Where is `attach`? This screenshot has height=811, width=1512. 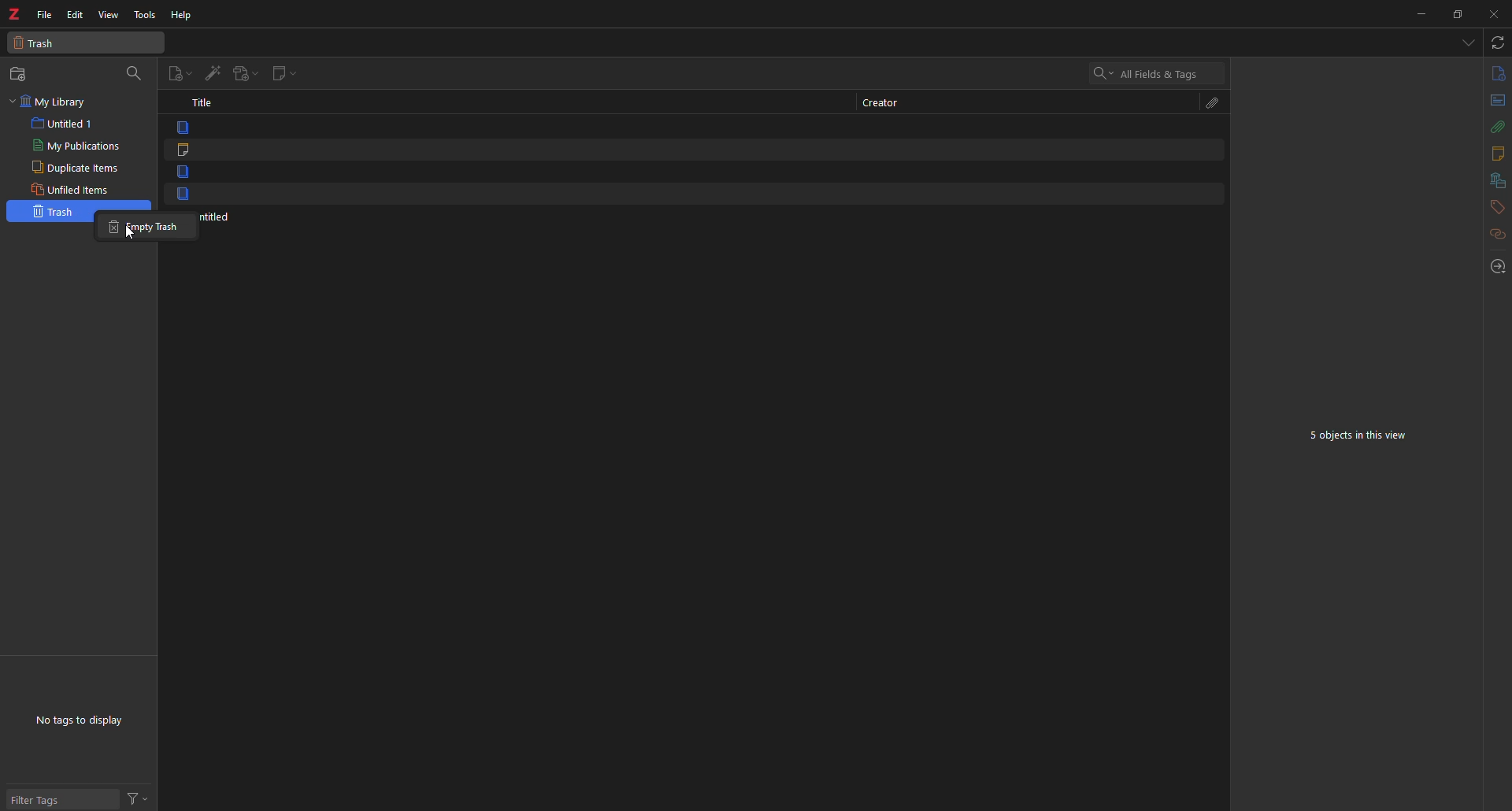
attach is located at coordinates (1499, 127).